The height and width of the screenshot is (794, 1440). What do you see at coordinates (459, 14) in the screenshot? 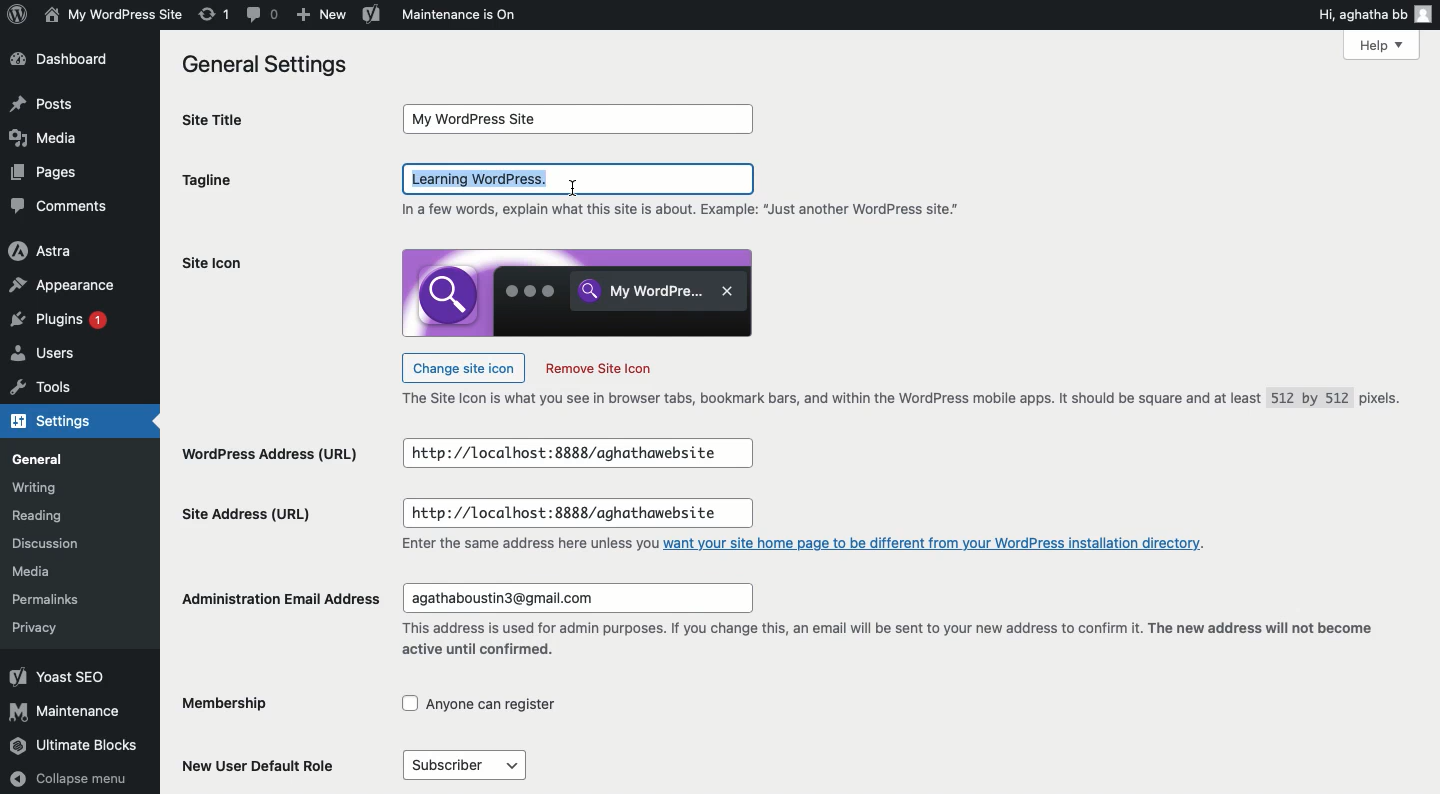
I see `Maintenance is on` at bounding box center [459, 14].